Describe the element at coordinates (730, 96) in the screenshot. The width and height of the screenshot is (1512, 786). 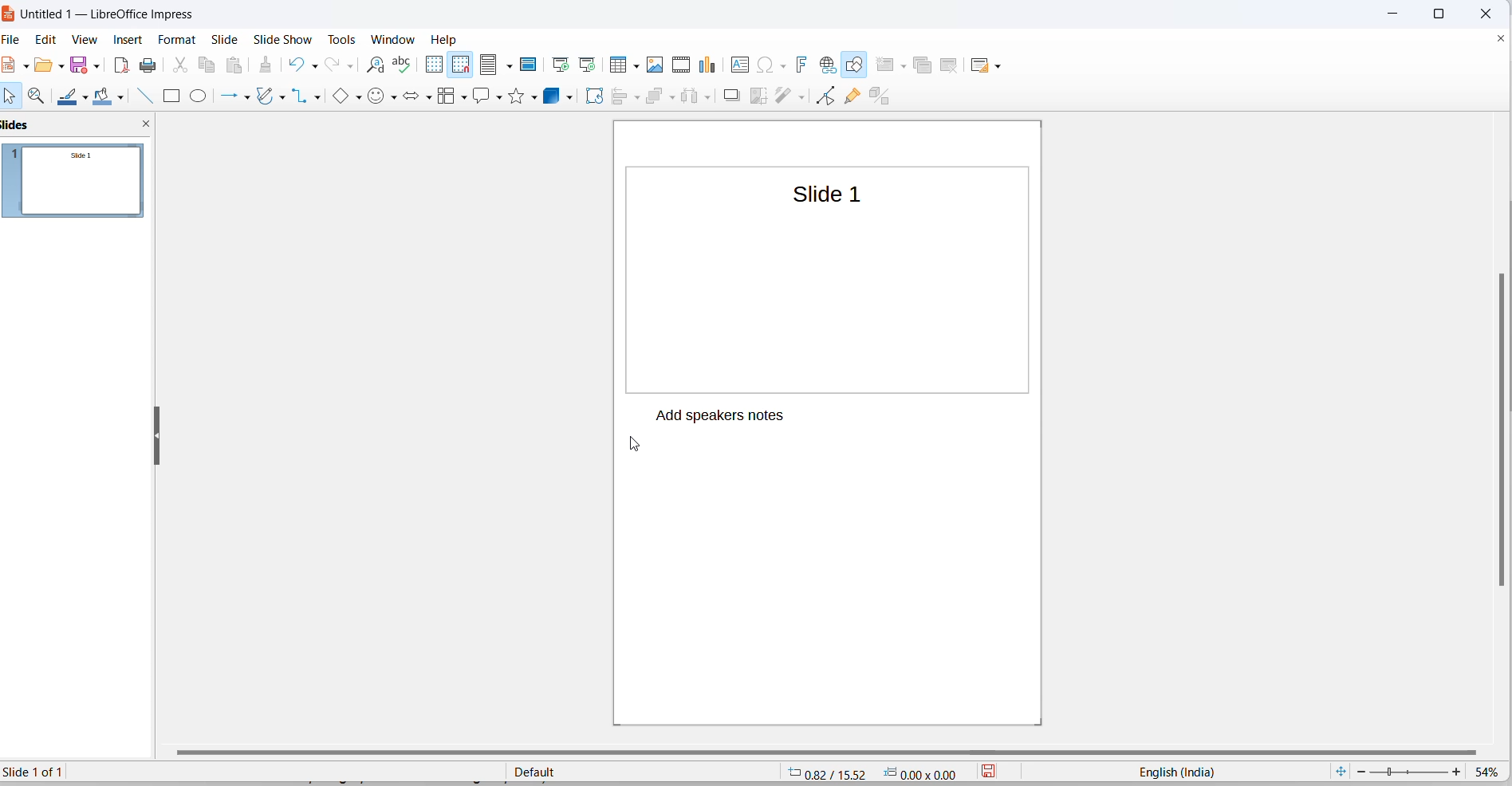
I see `shadow` at that location.